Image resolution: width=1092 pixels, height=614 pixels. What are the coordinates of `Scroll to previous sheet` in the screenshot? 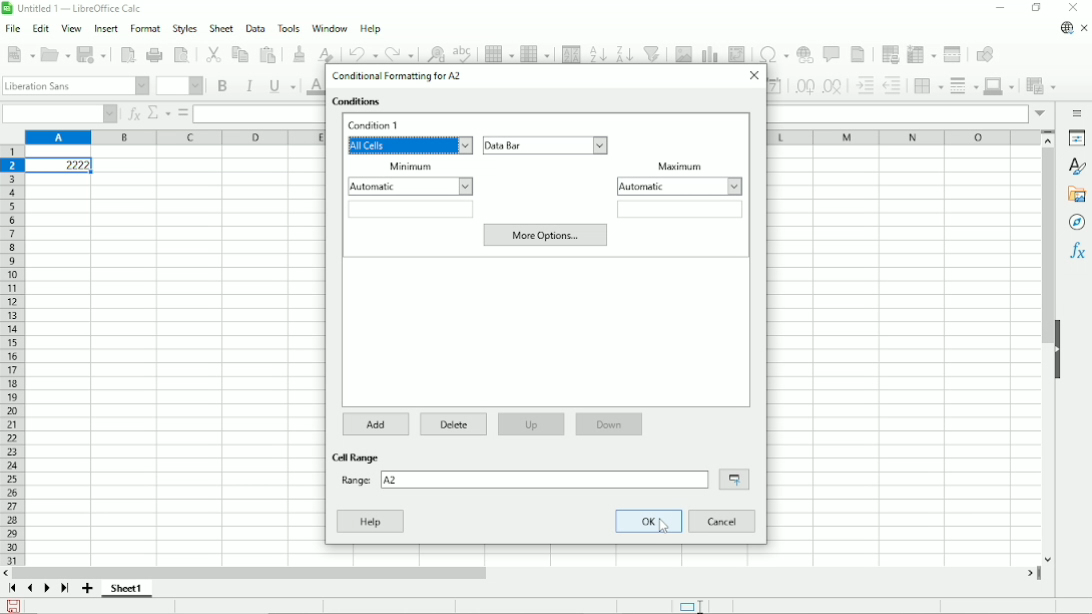 It's located at (31, 589).